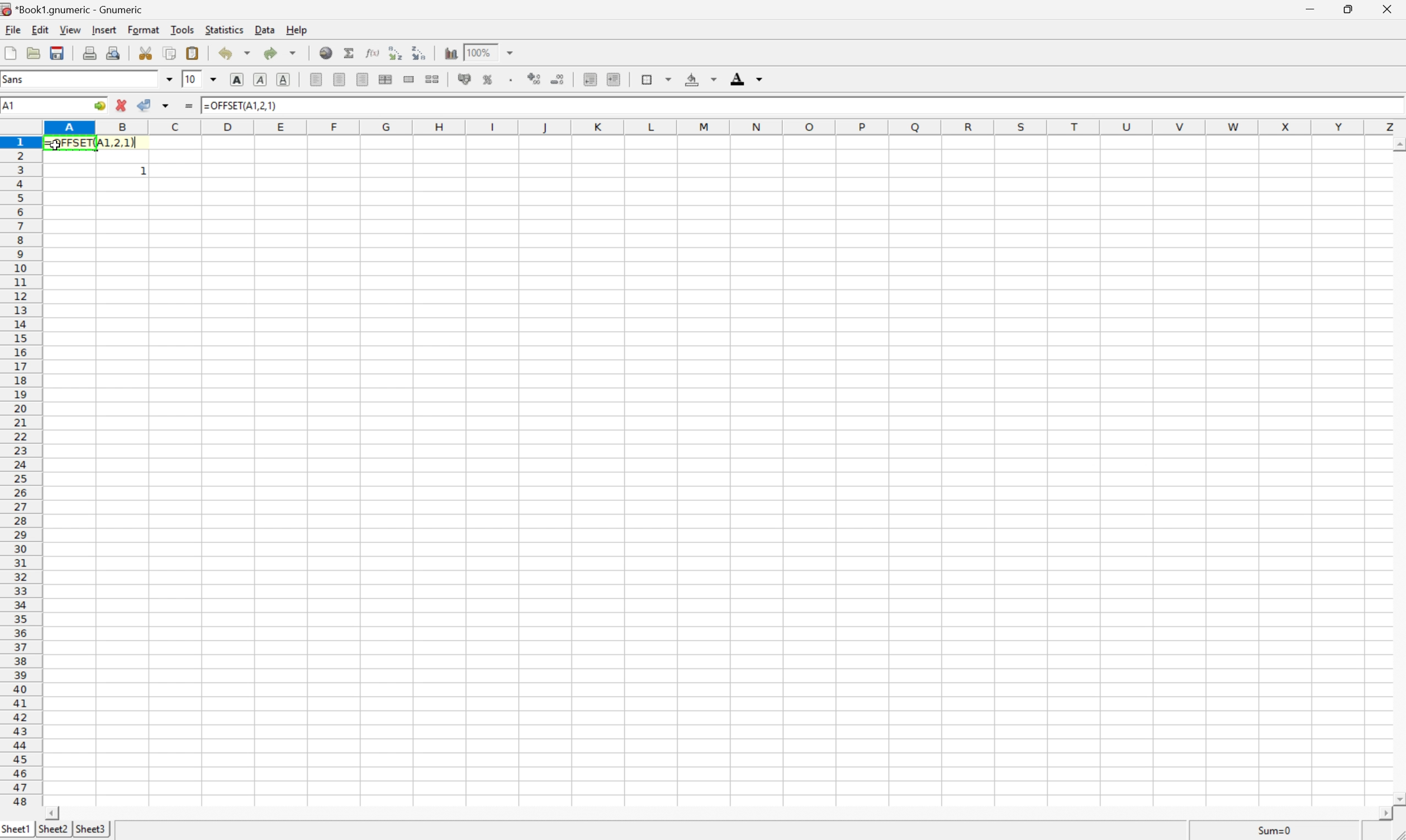 The width and height of the screenshot is (1406, 840). Describe the element at coordinates (588, 78) in the screenshot. I see `decrease indent` at that location.